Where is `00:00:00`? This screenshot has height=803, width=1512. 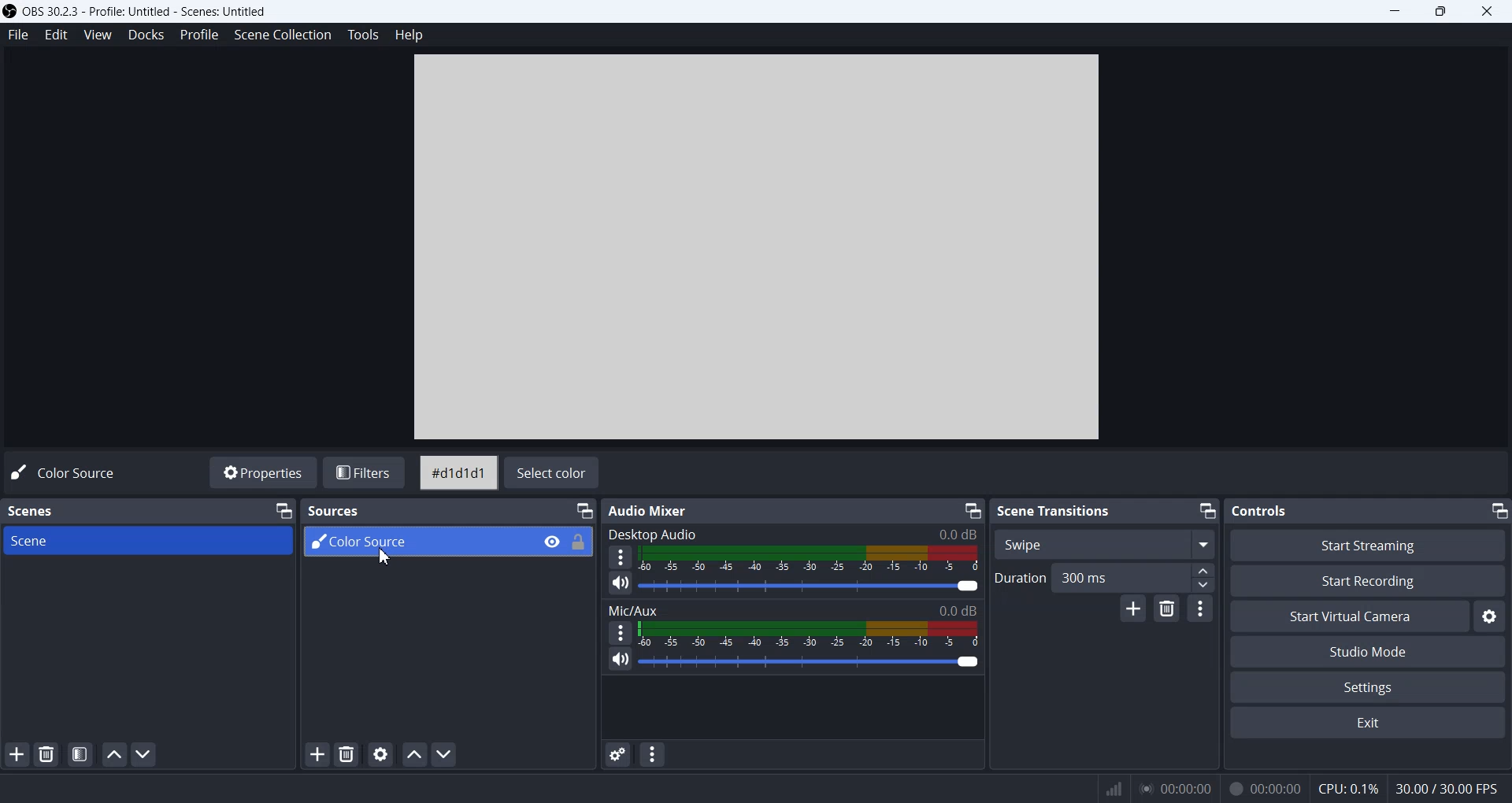
00:00:00 is located at coordinates (1263, 786).